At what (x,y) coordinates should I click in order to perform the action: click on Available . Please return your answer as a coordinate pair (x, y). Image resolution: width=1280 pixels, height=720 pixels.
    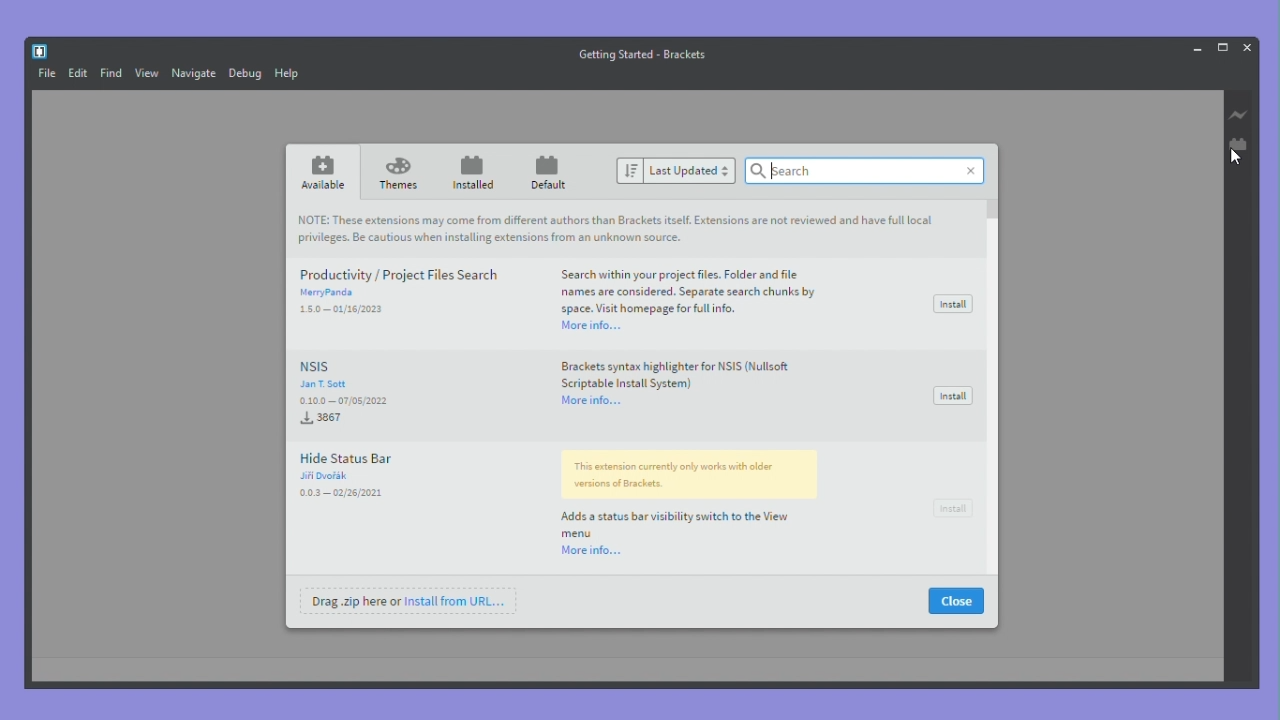
    Looking at the image, I should click on (324, 173).